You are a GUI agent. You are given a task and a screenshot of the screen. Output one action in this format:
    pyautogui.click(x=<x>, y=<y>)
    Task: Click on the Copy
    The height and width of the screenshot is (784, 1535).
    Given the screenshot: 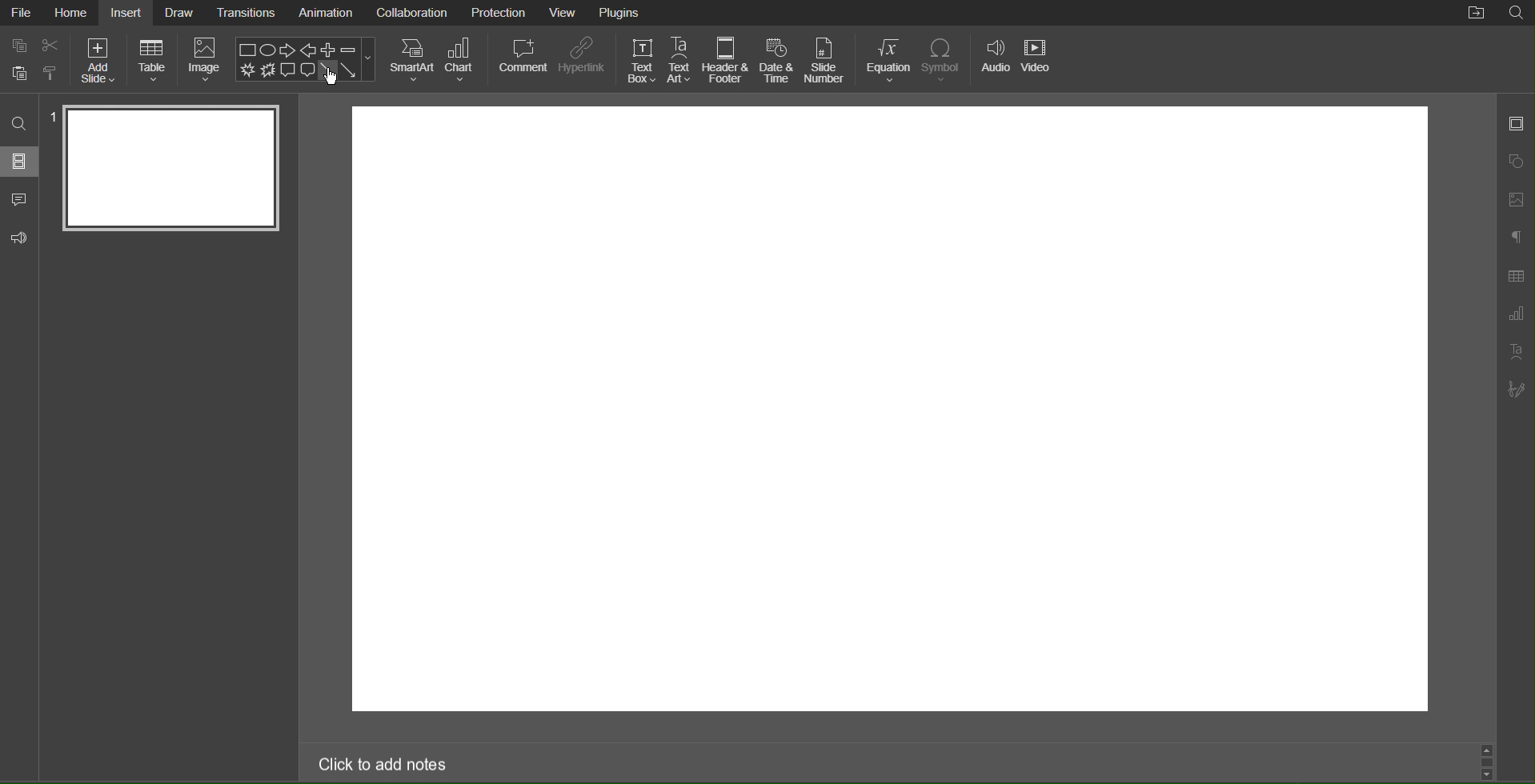 What is the action you would take?
    pyautogui.click(x=16, y=46)
    